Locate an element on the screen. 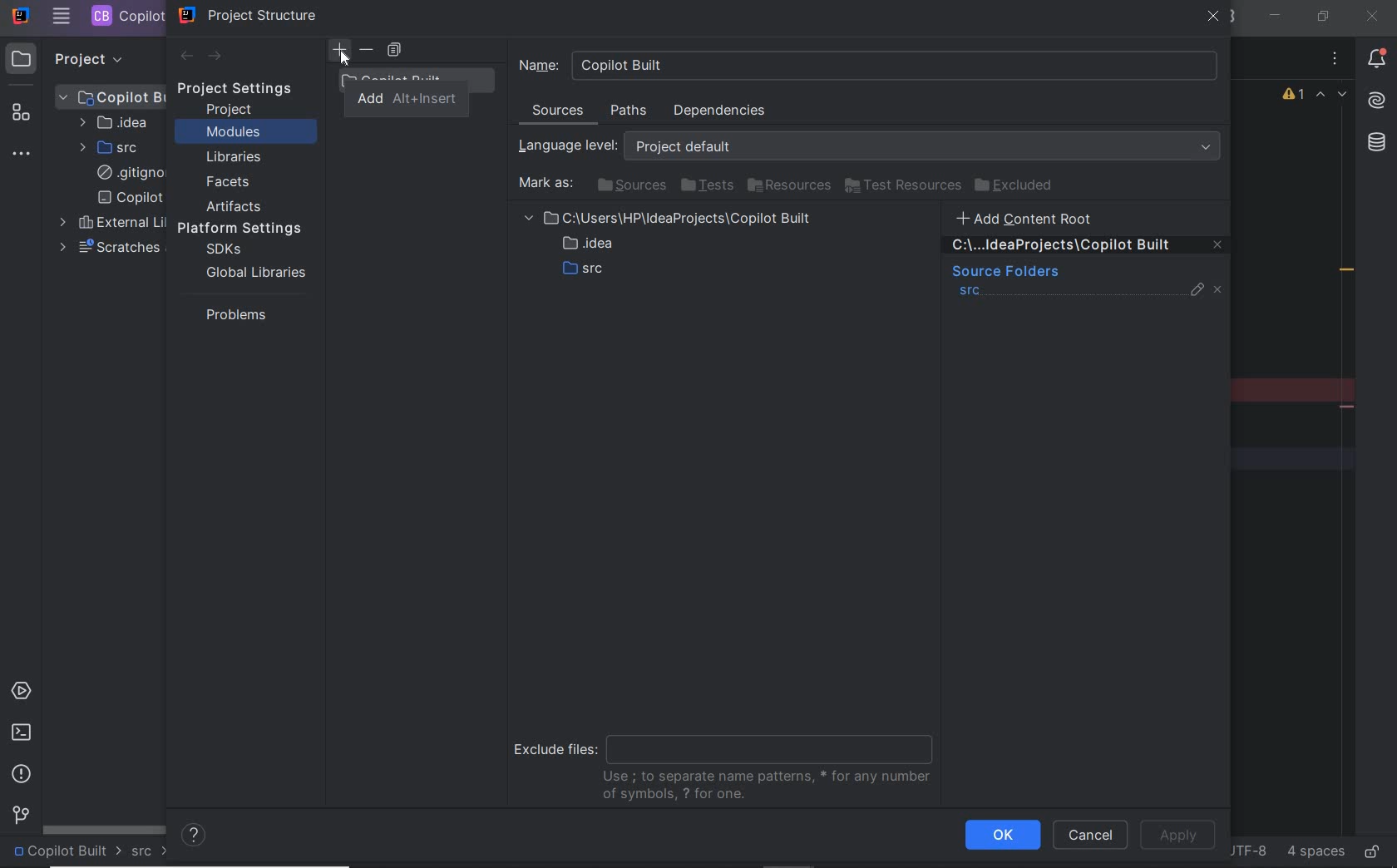 This screenshot has width=1397, height=868. modules is located at coordinates (233, 133).